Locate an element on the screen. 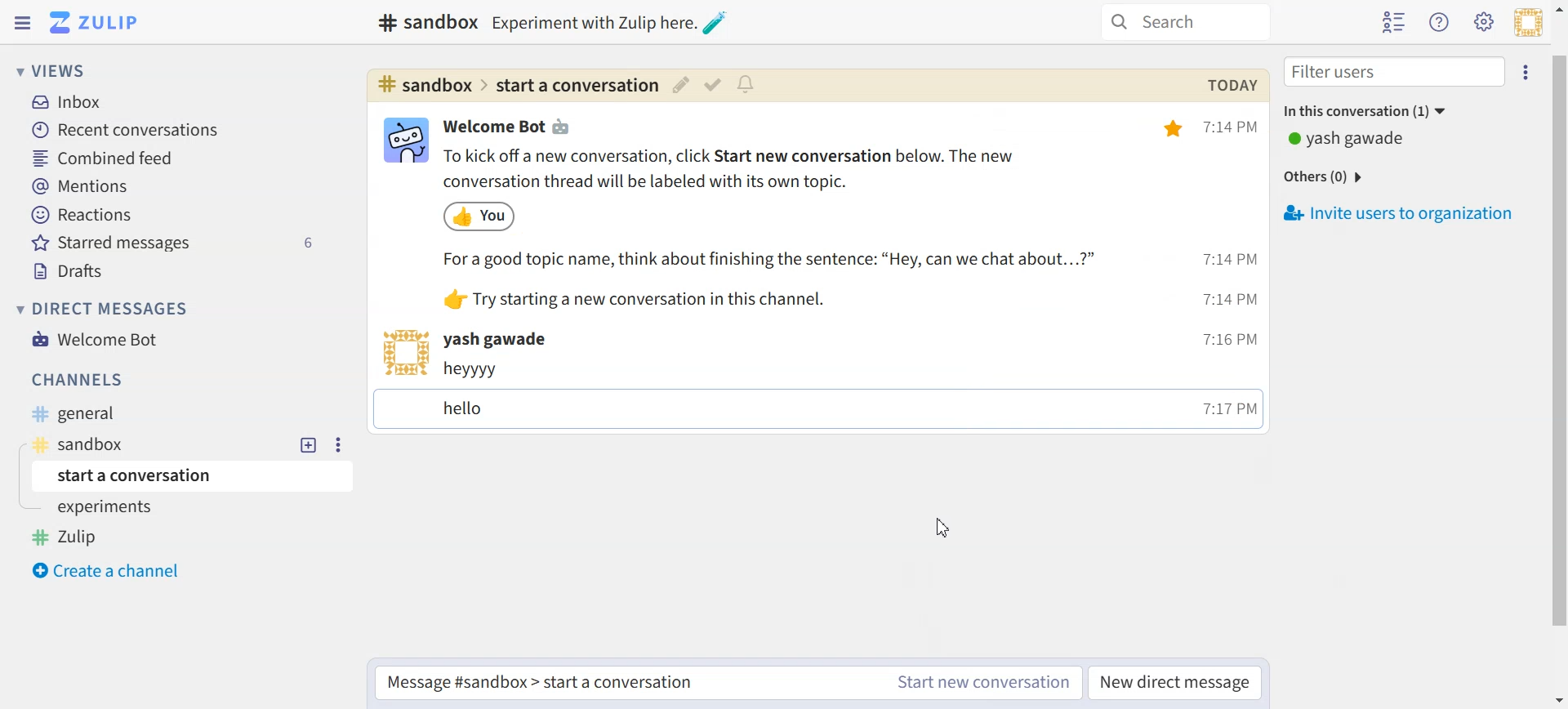 The height and width of the screenshot is (709, 1568). In this conversation is located at coordinates (1408, 109).